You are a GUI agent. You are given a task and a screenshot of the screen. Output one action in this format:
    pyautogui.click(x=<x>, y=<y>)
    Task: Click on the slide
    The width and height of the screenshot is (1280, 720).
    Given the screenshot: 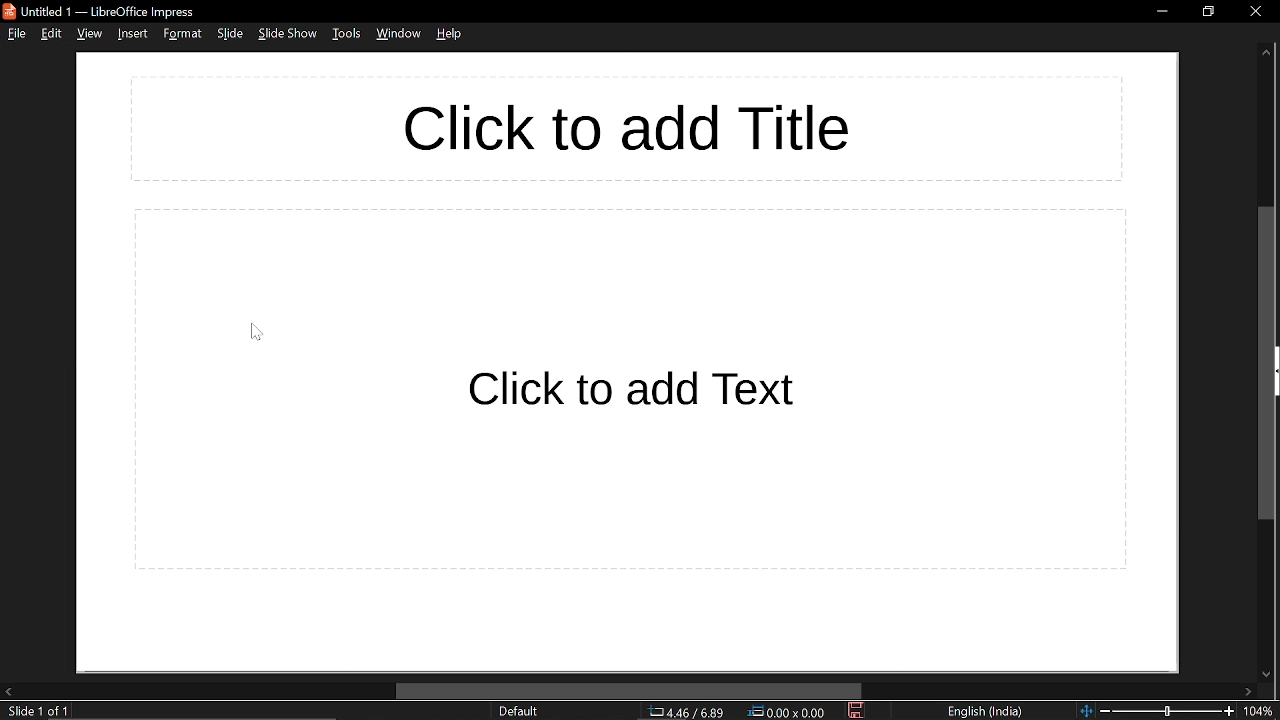 What is the action you would take?
    pyautogui.click(x=231, y=34)
    